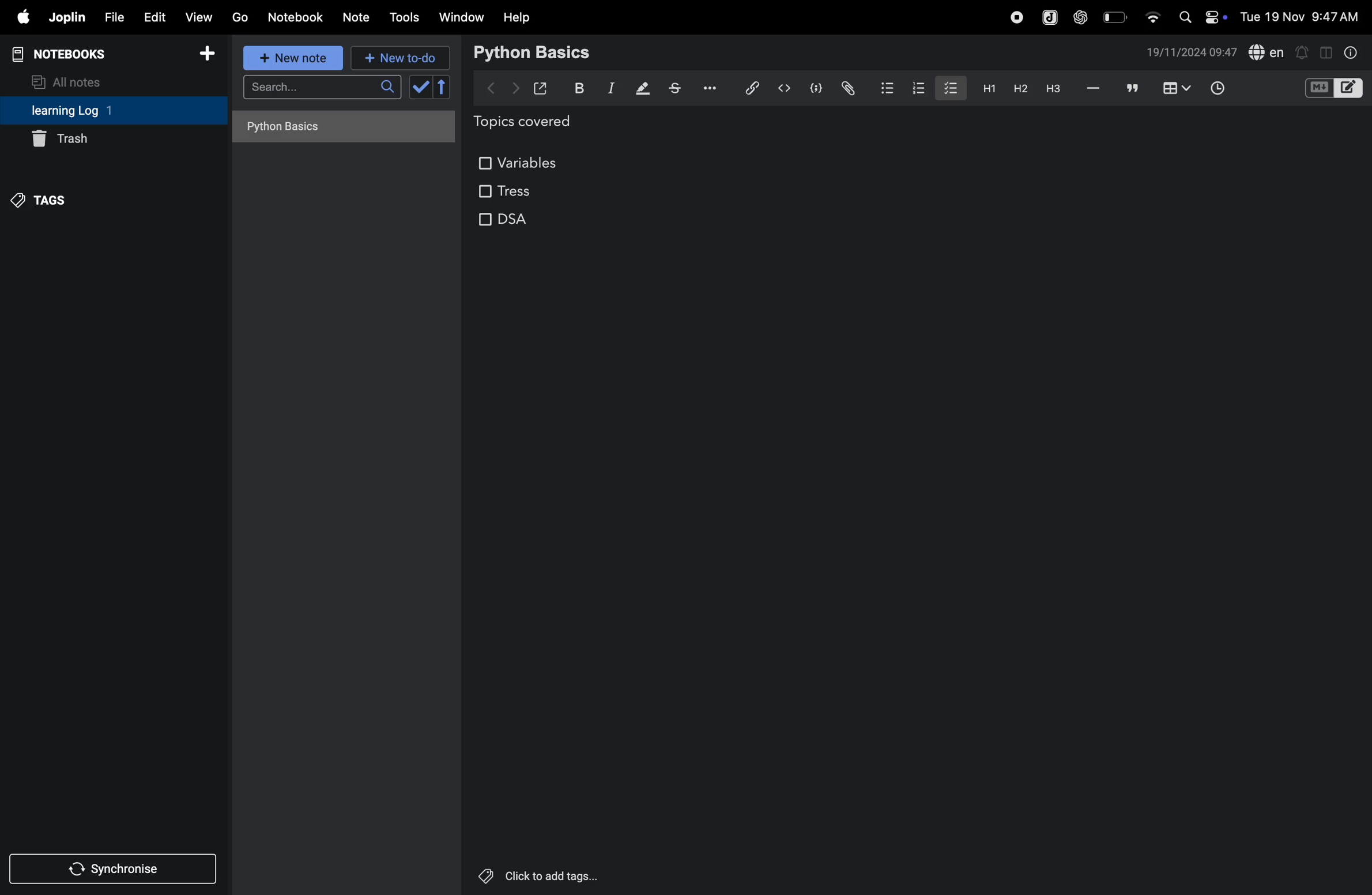  Describe the element at coordinates (18, 18) in the screenshot. I see `apple menu` at that location.